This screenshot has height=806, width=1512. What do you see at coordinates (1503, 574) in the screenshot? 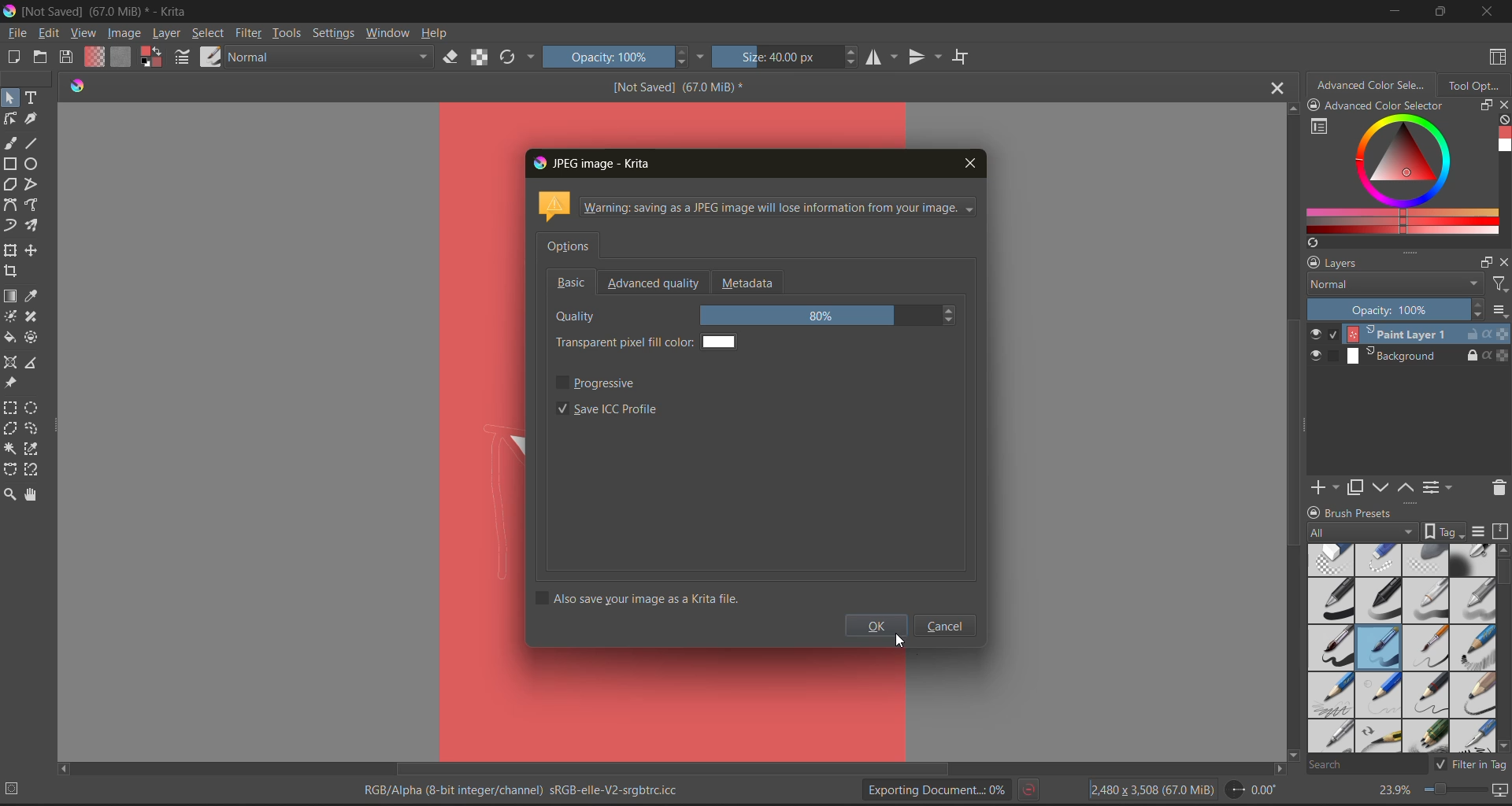
I see `horizontal scroll bar` at bounding box center [1503, 574].